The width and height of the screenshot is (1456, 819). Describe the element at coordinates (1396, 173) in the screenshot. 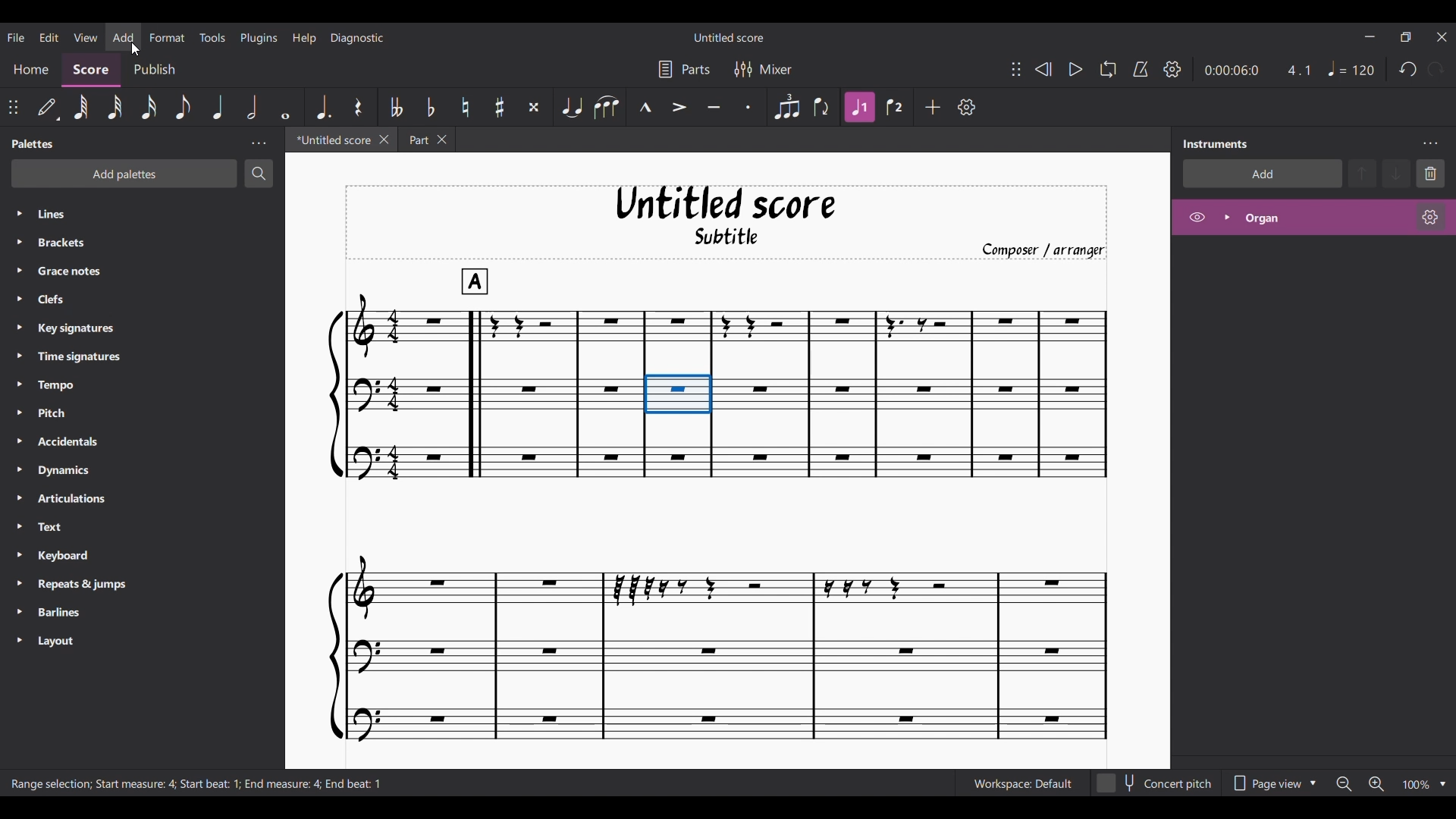

I see `Move down` at that location.